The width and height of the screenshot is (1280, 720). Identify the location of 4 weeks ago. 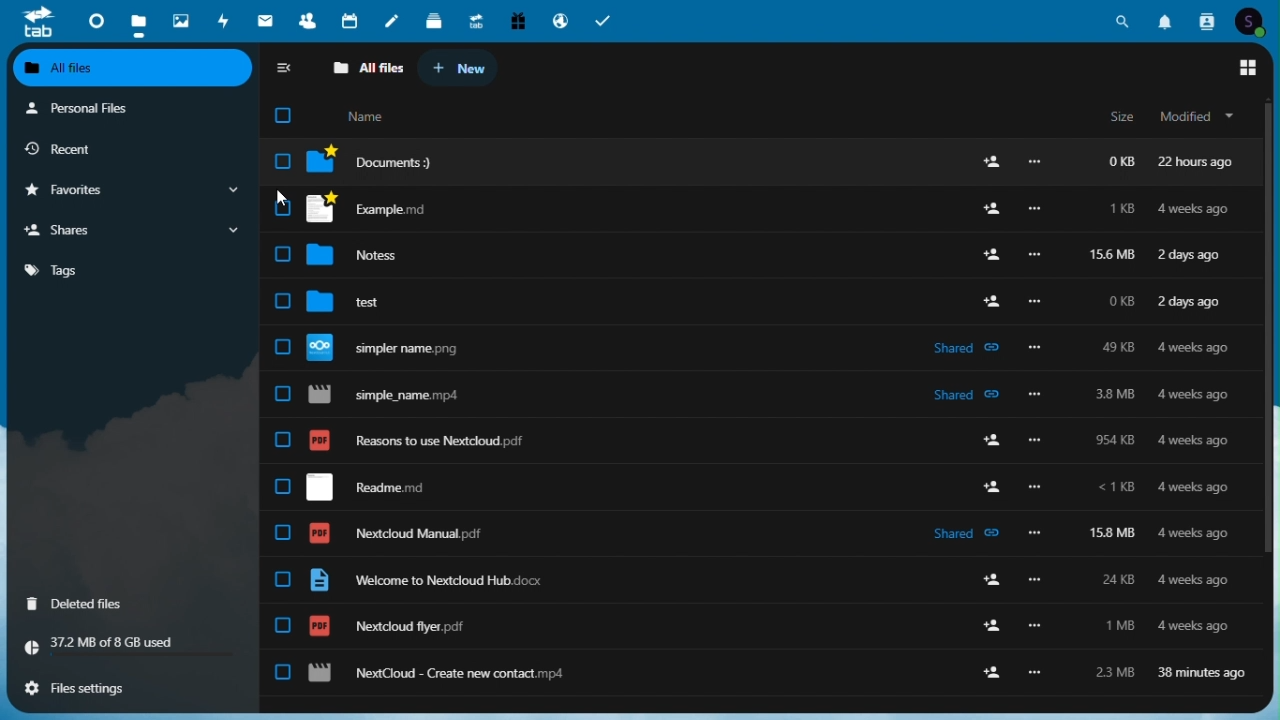
(1196, 536).